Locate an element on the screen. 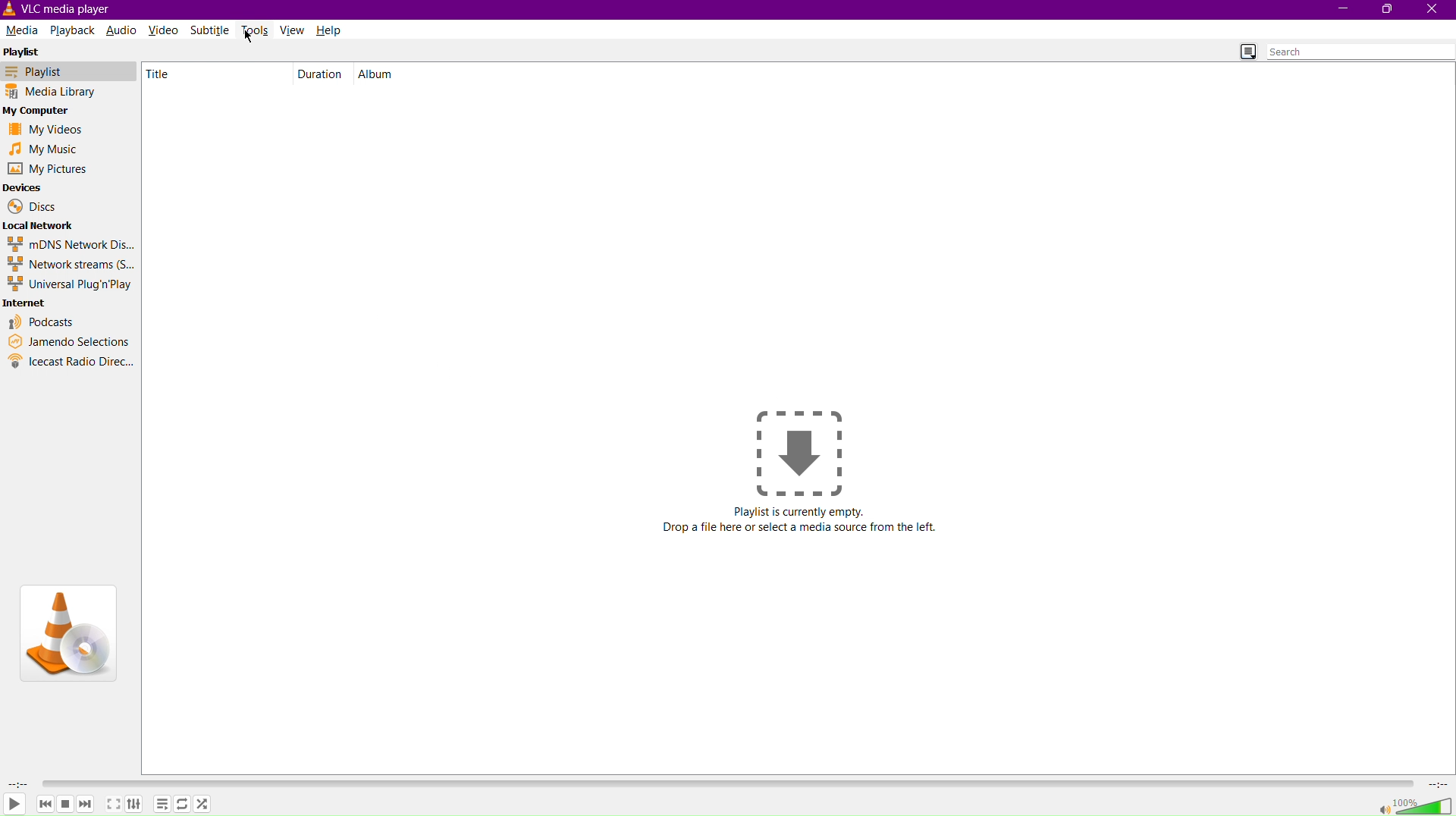  My Videos is located at coordinates (49, 130).